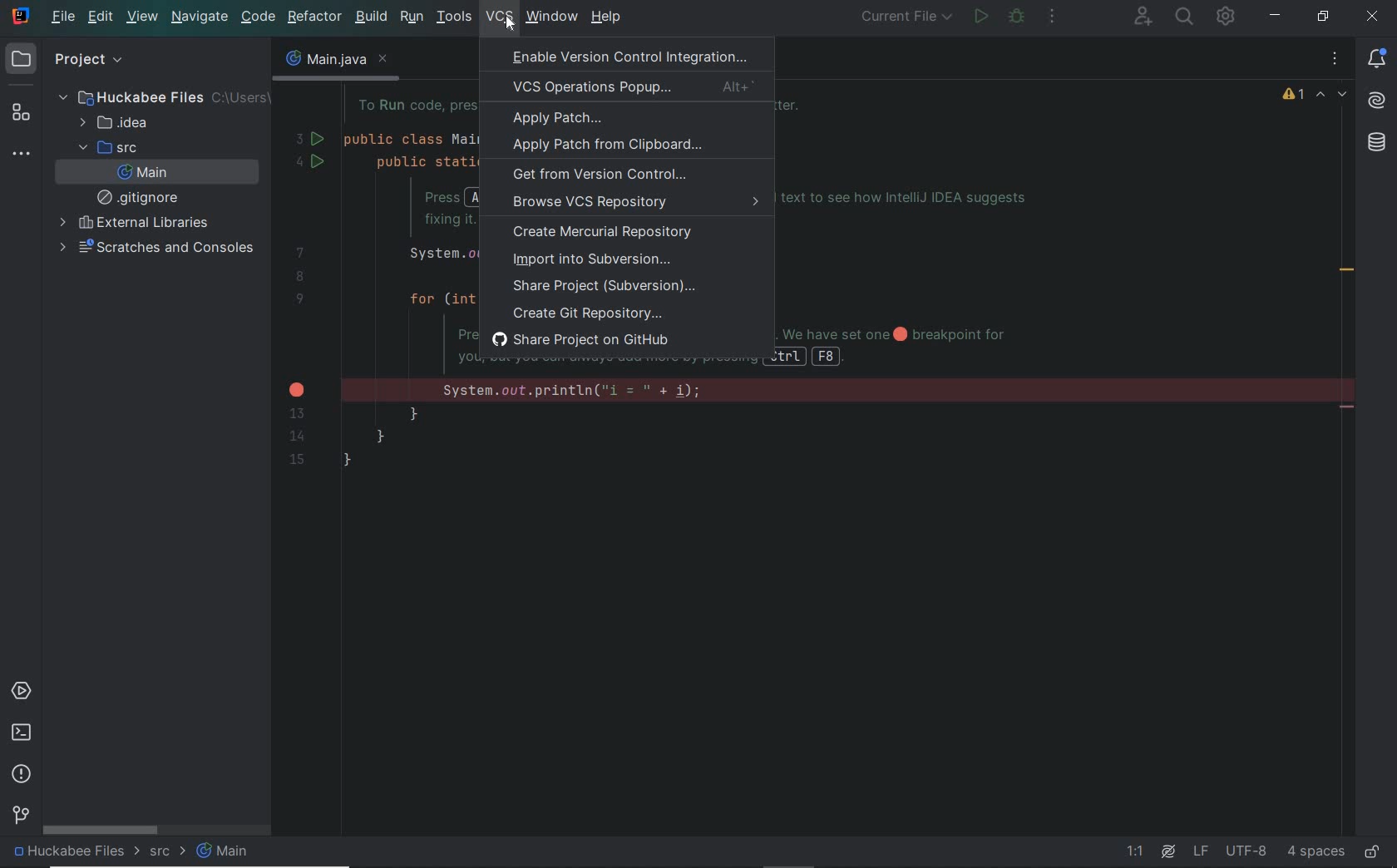 This screenshot has width=1397, height=868. What do you see at coordinates (21, 816) in the screenshot?
I see `version control` at bounding box center [21, 816].